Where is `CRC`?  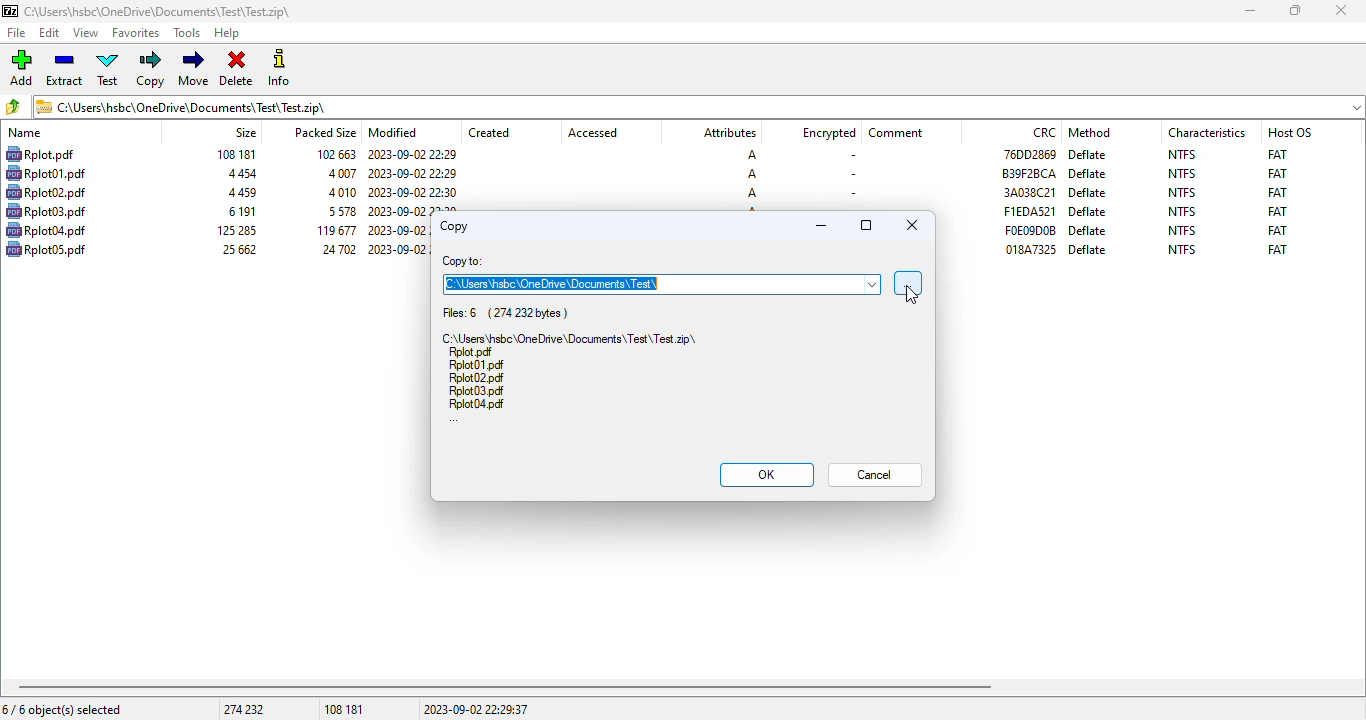 CRC is located at coordinates (1045, 132).